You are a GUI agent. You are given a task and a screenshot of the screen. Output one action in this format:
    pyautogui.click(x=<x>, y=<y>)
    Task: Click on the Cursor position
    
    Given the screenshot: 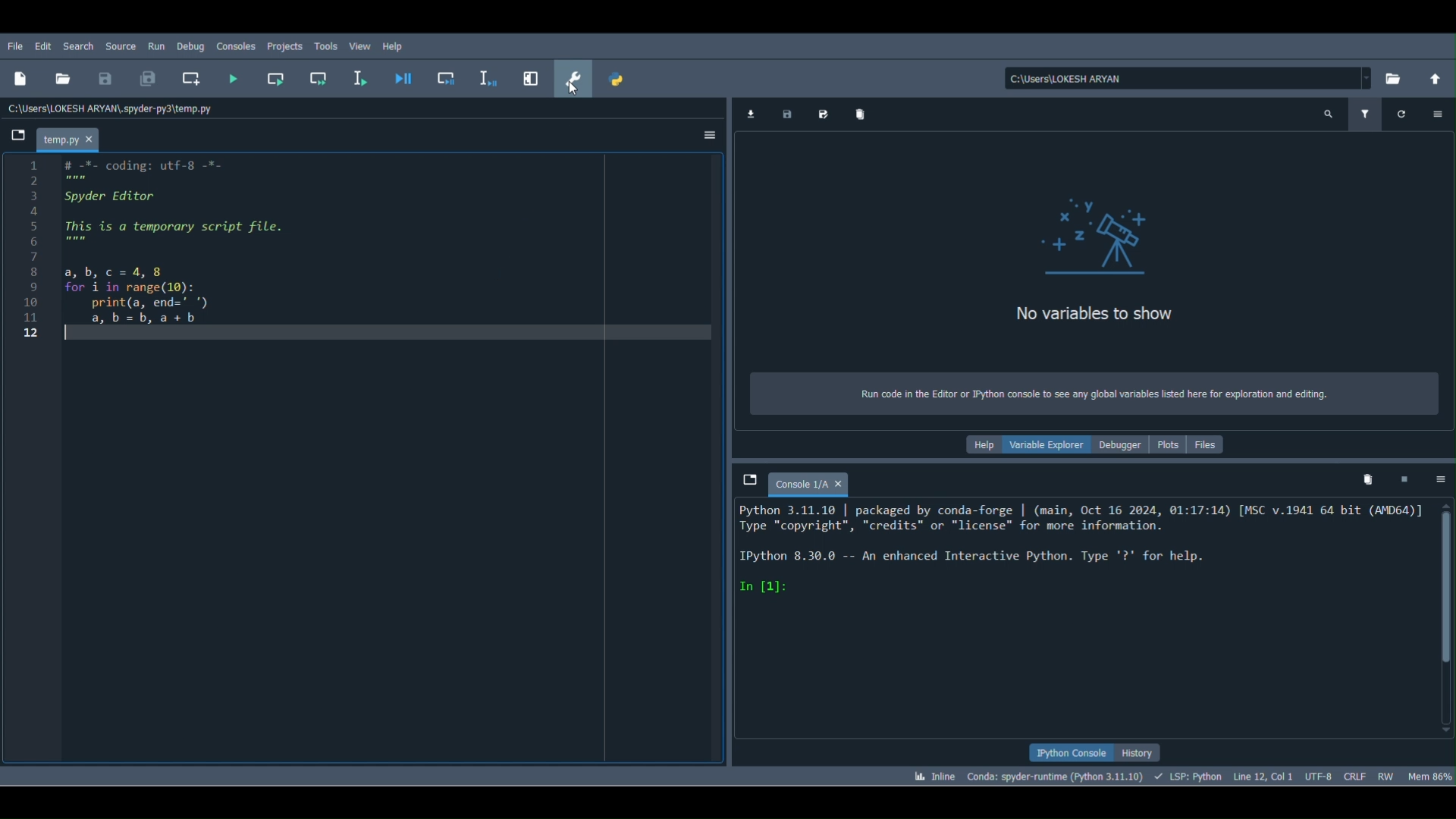 What is the action you would take?
    pyautogui.click(x=1262, y=774)
    